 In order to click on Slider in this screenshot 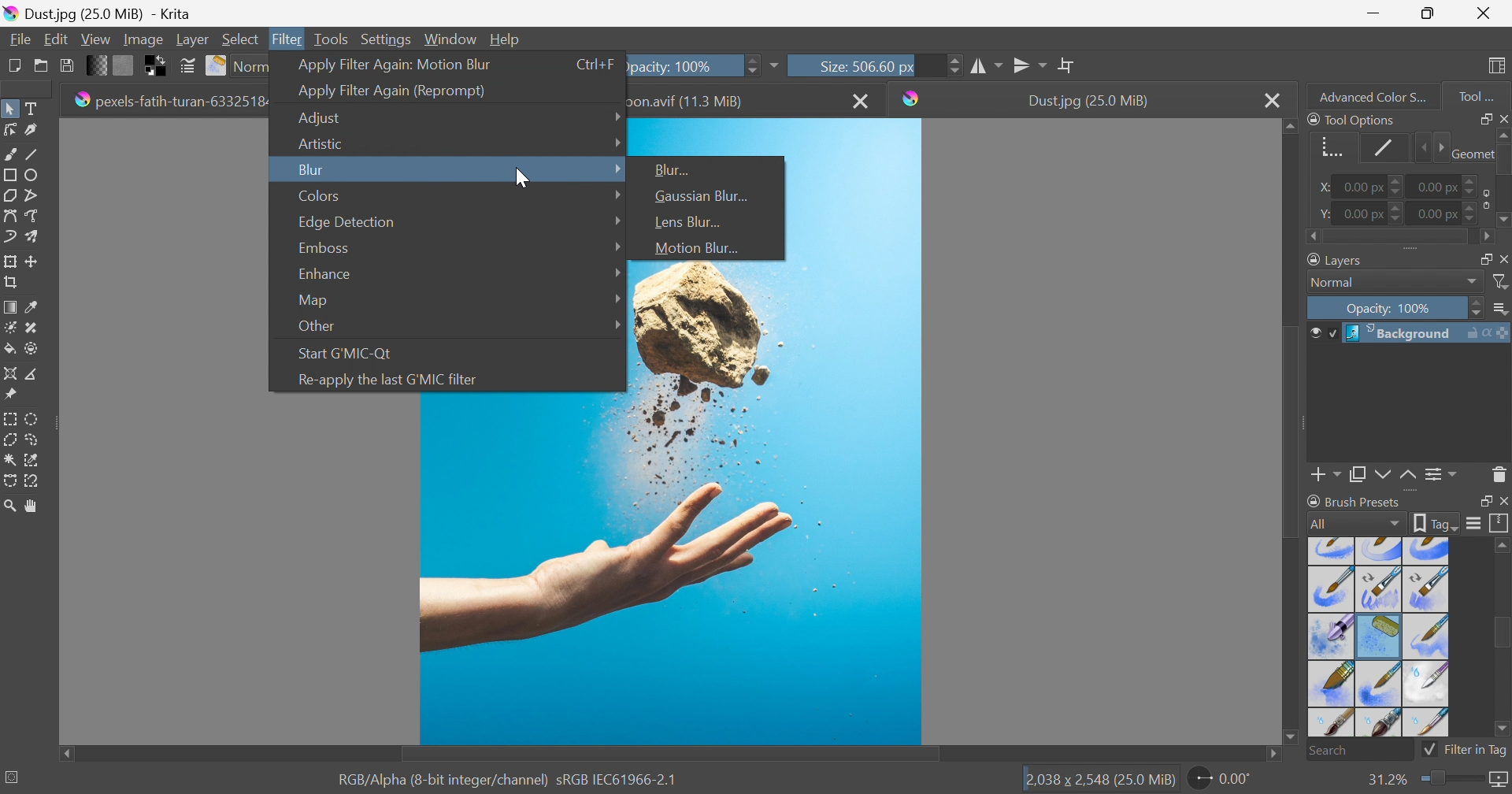, I will do `click(1472, 216)`.